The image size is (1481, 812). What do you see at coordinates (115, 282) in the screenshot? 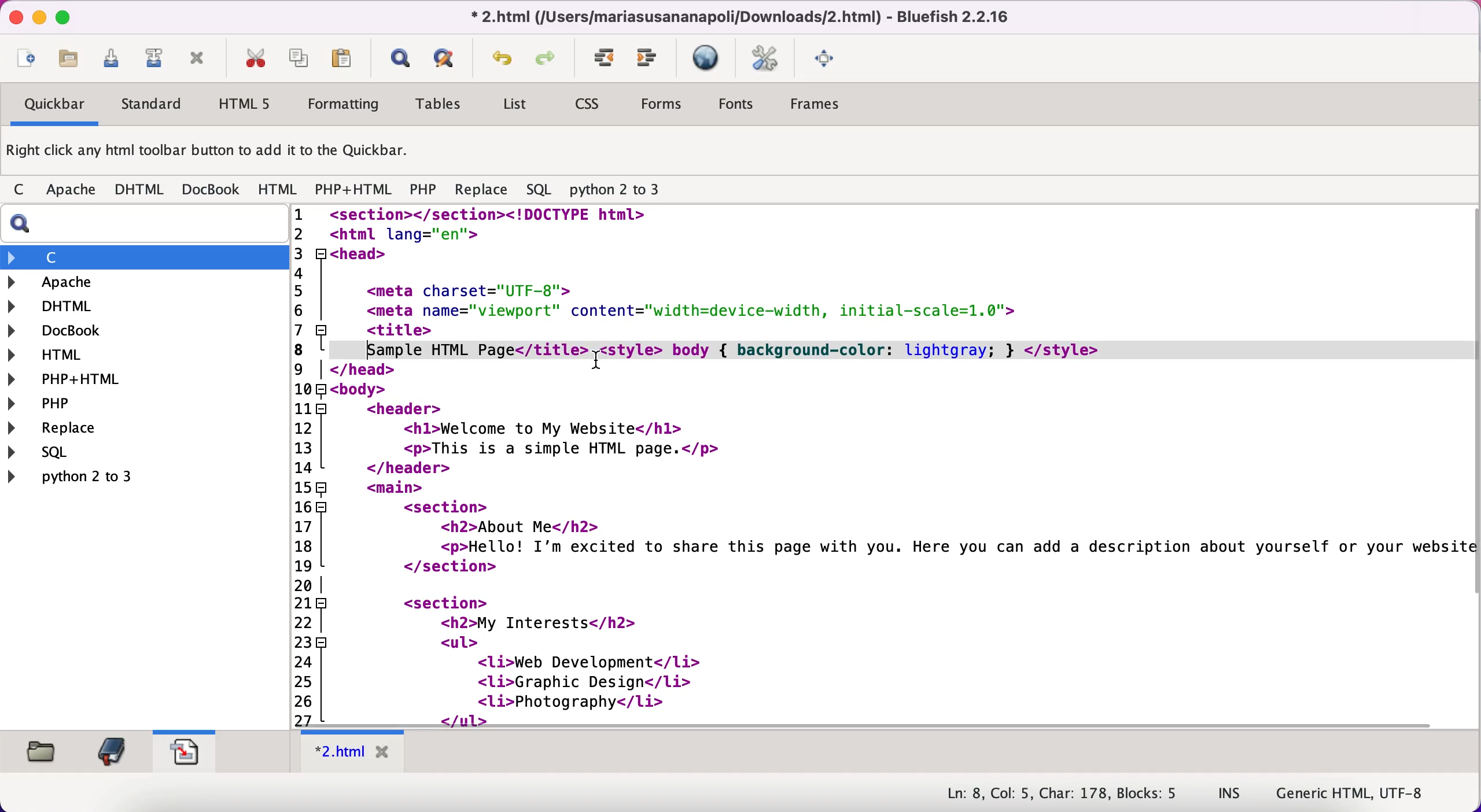
I see `apache` at bounding box center [115, 282].